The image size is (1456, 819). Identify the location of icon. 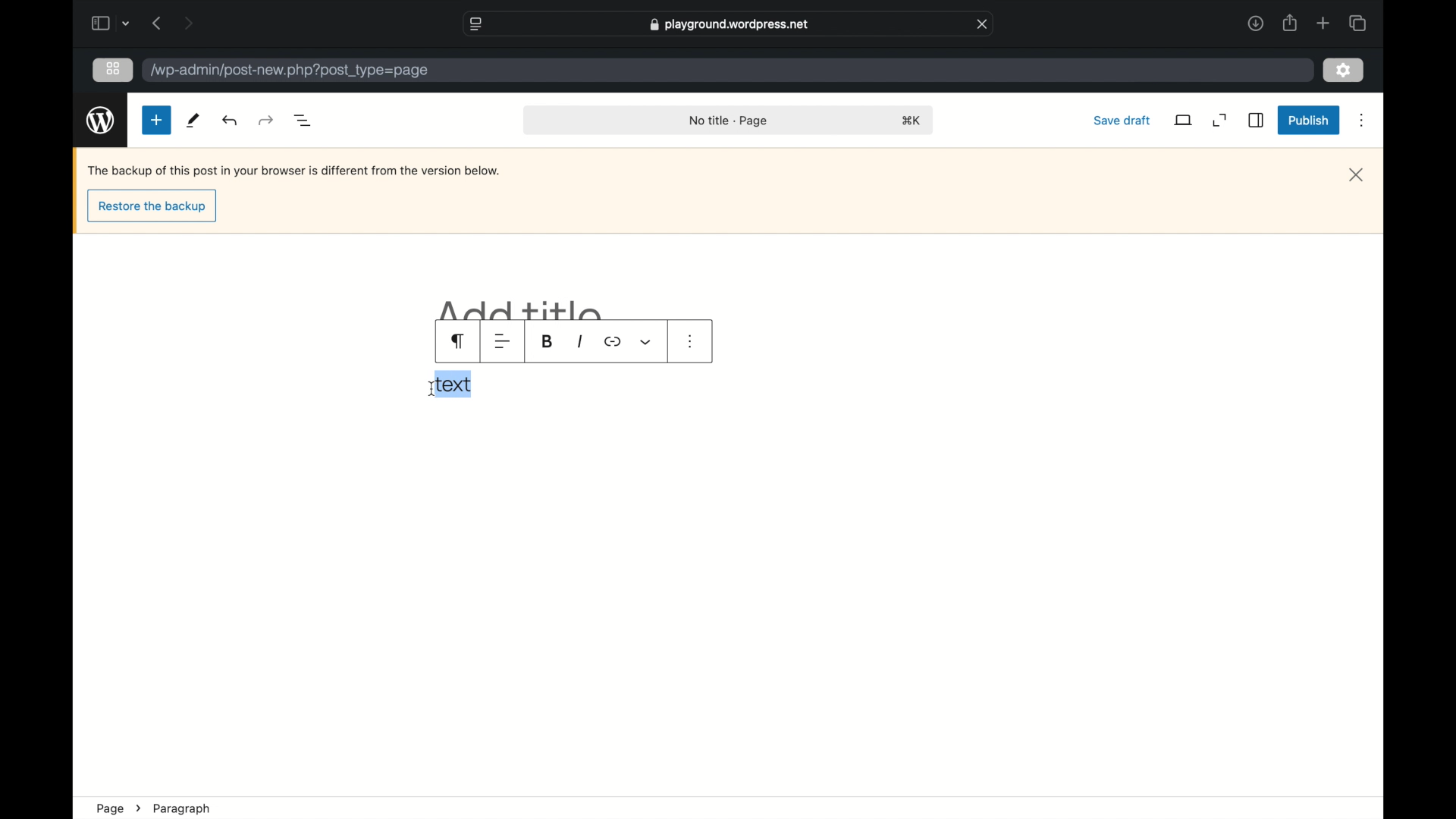
(613, 342).